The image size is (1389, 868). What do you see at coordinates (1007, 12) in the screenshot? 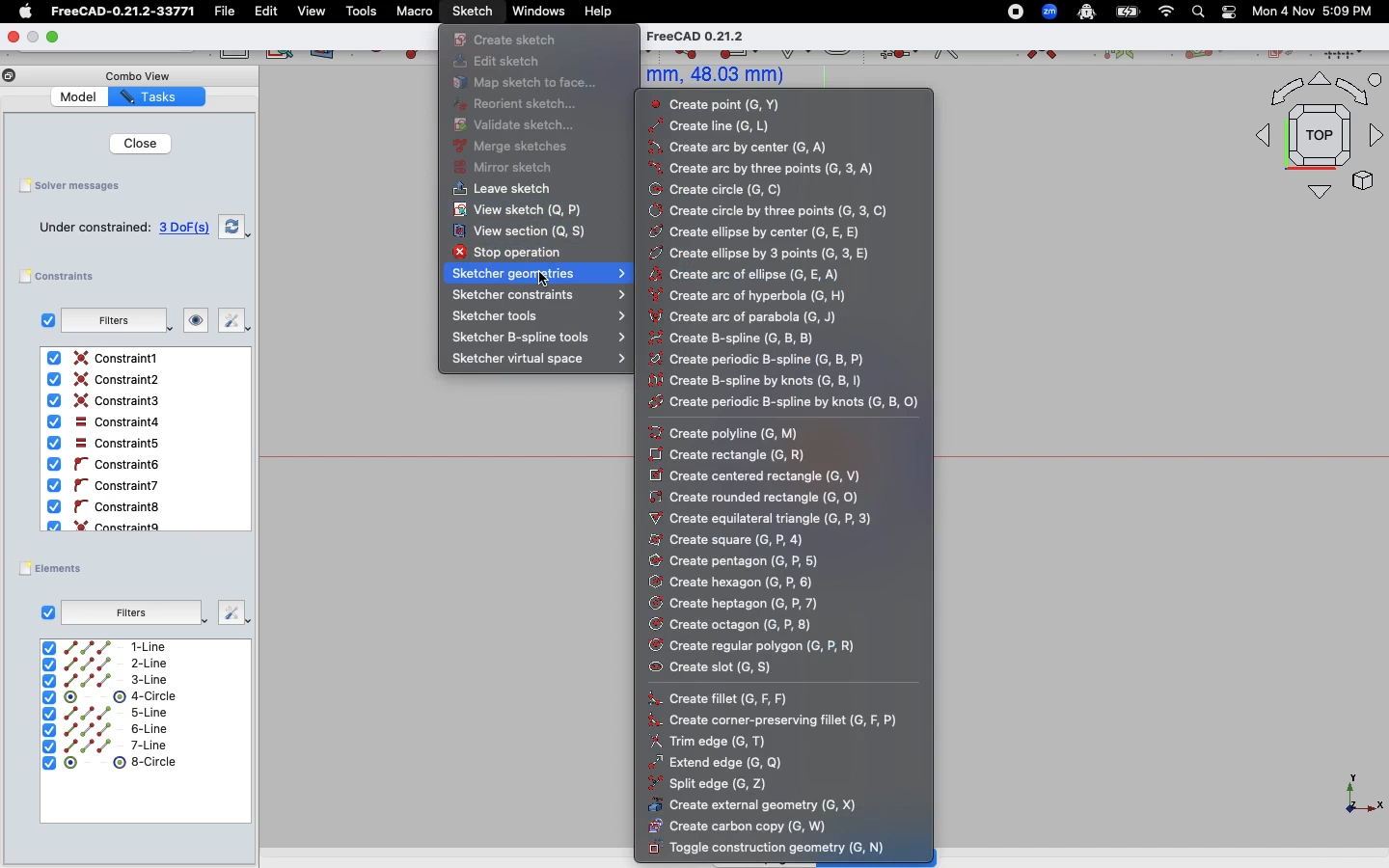
I see `Record` at bounding box center [1007, 12].